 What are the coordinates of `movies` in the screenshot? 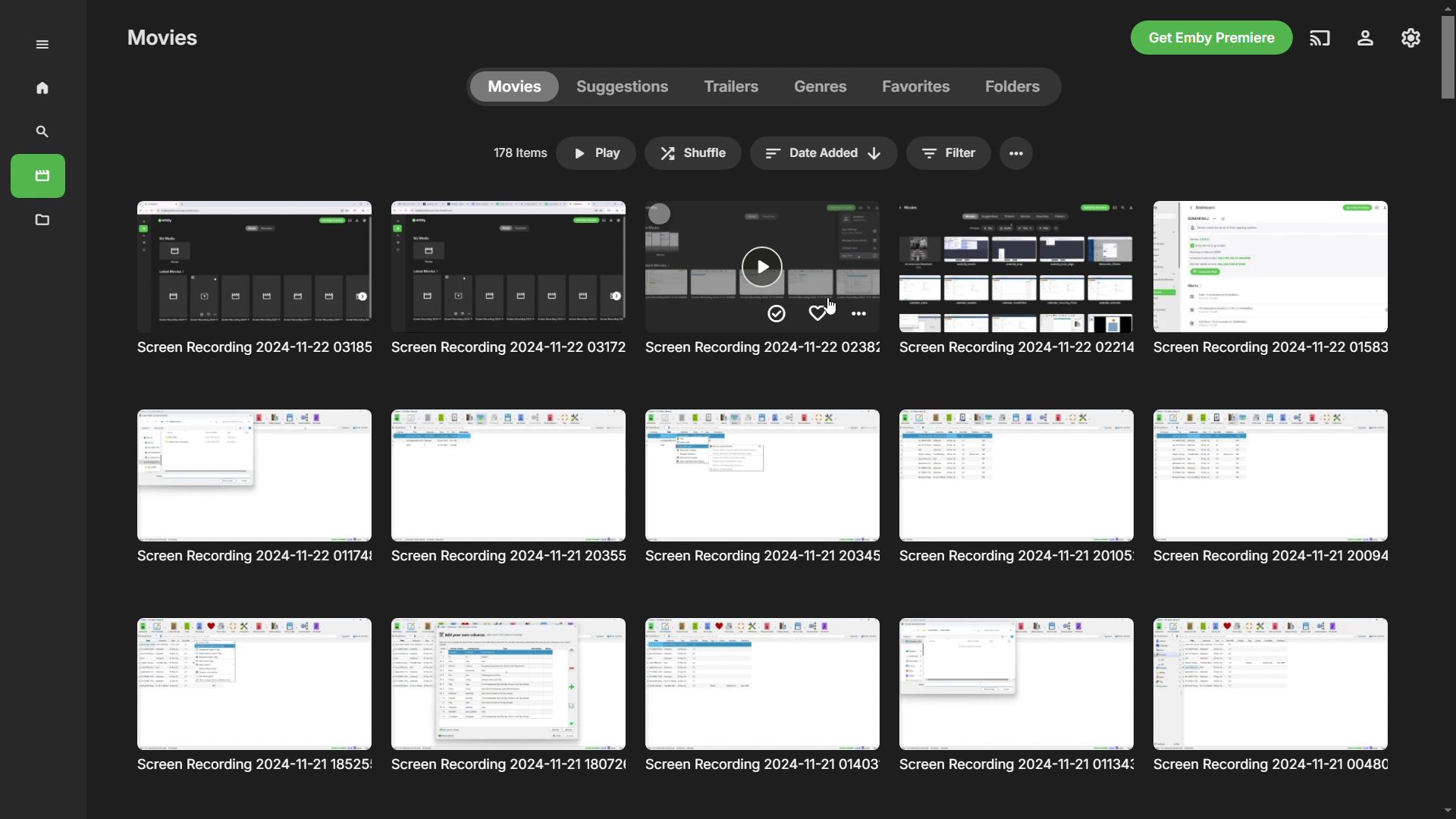 It's located at (42, 174).